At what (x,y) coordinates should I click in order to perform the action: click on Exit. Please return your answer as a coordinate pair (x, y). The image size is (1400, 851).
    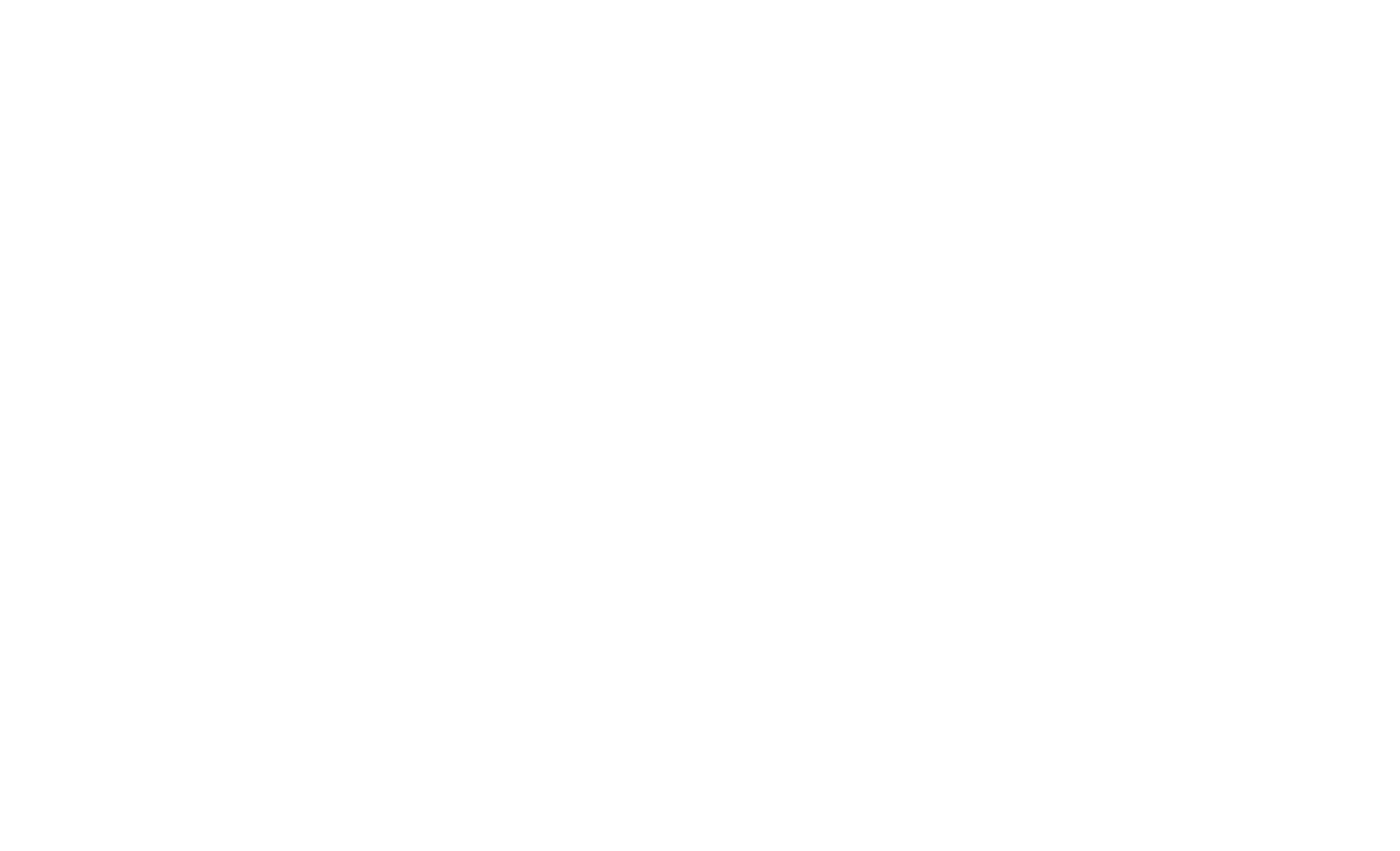
    Looking at the image, I should click on (1273, 792).